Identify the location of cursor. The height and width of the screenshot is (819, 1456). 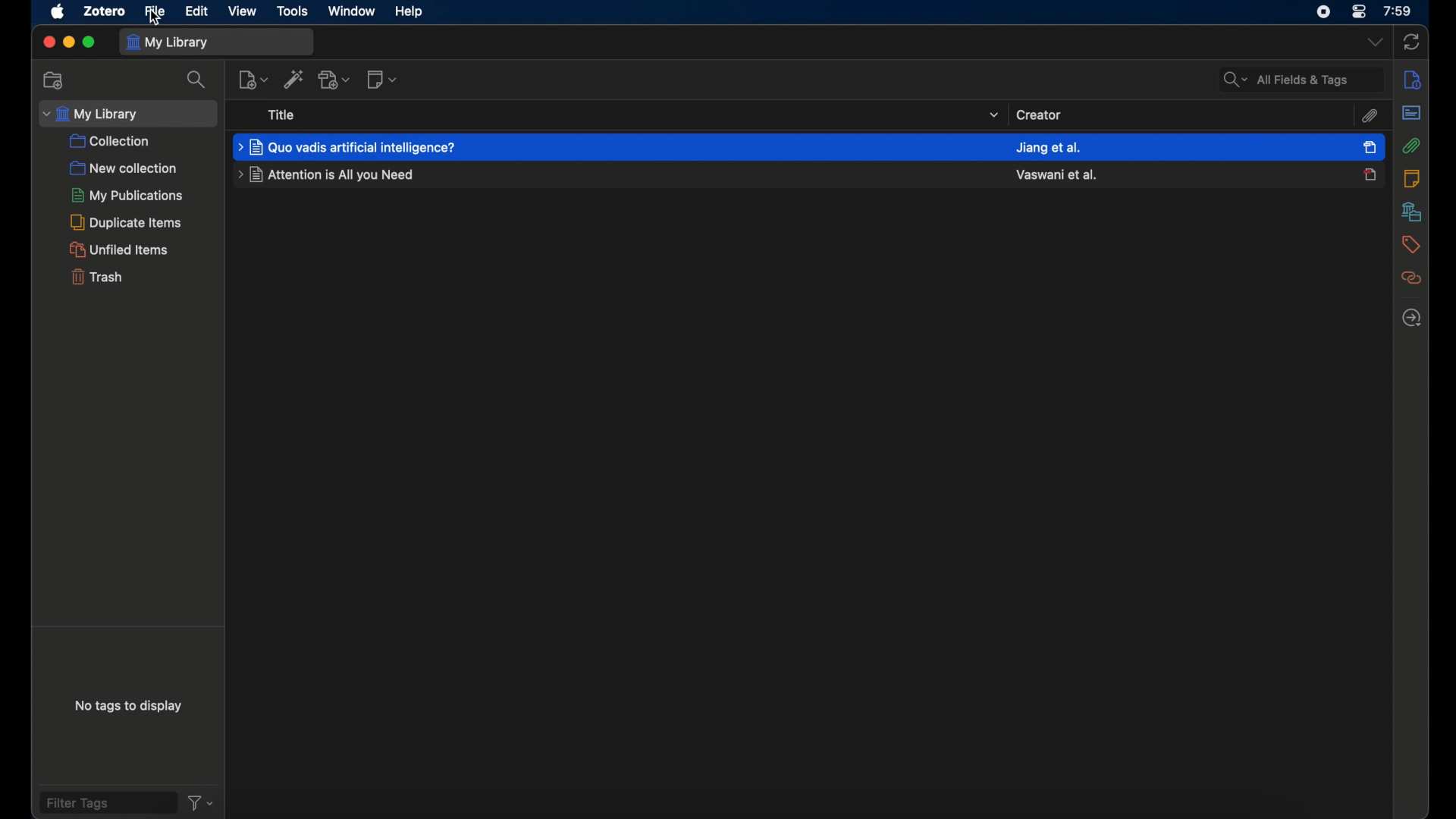
(157, 20).